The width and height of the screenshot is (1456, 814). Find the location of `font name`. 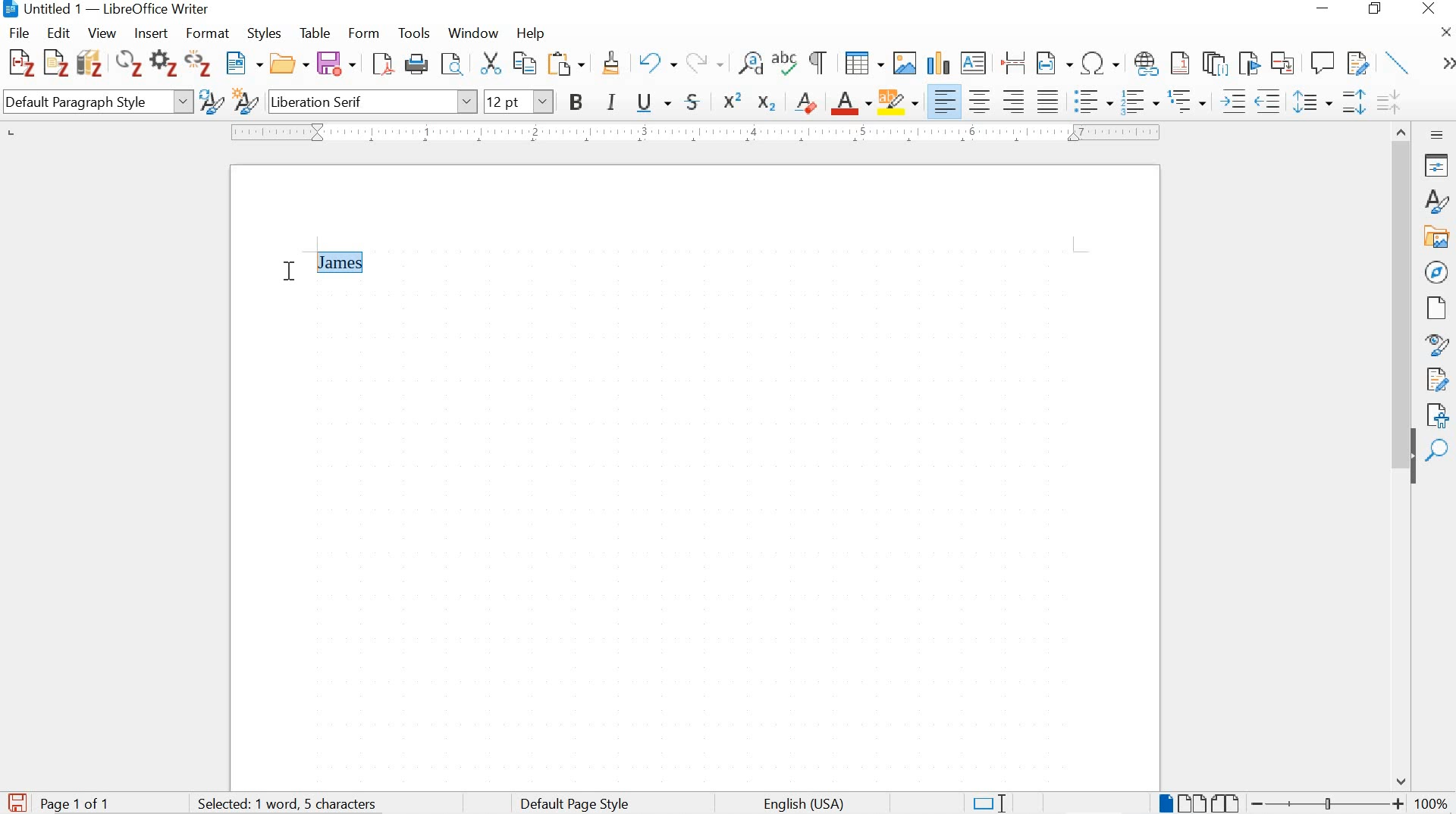

font name is located at coordinates (372, 101).